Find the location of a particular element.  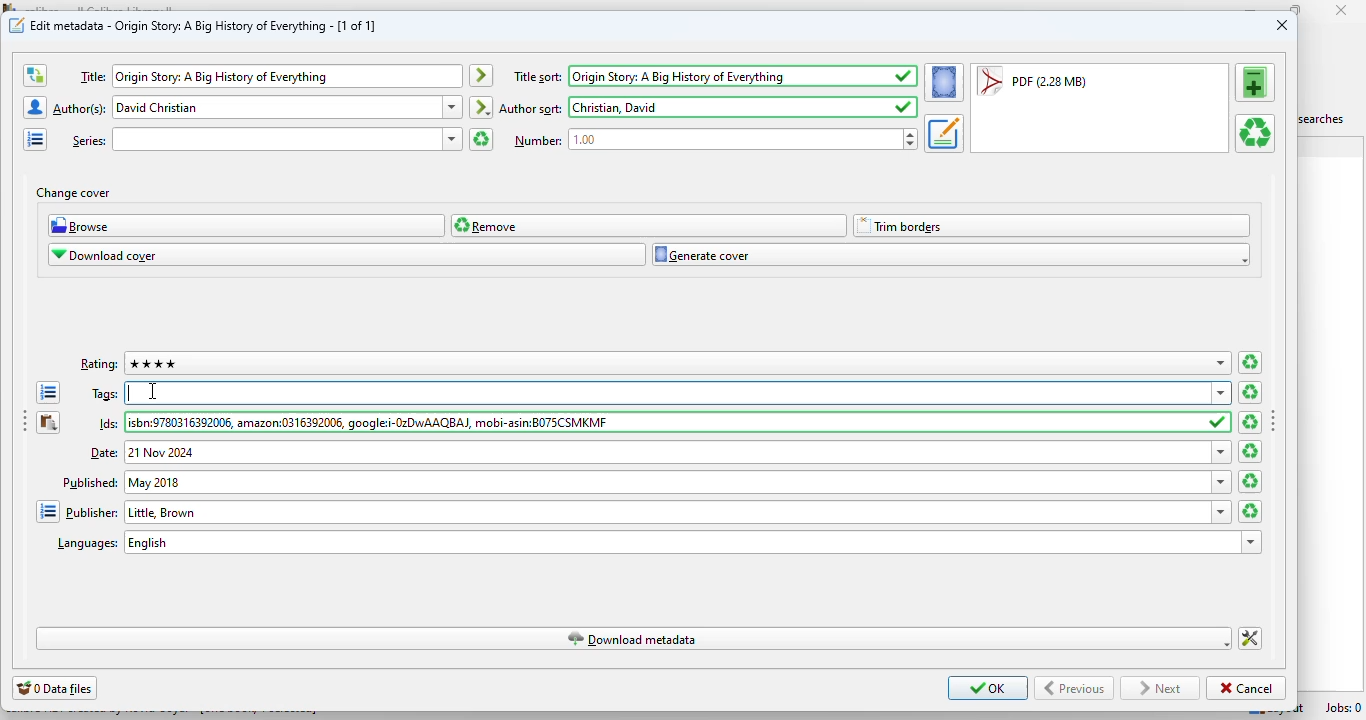

Previous is located at coordinates (1075, 688).